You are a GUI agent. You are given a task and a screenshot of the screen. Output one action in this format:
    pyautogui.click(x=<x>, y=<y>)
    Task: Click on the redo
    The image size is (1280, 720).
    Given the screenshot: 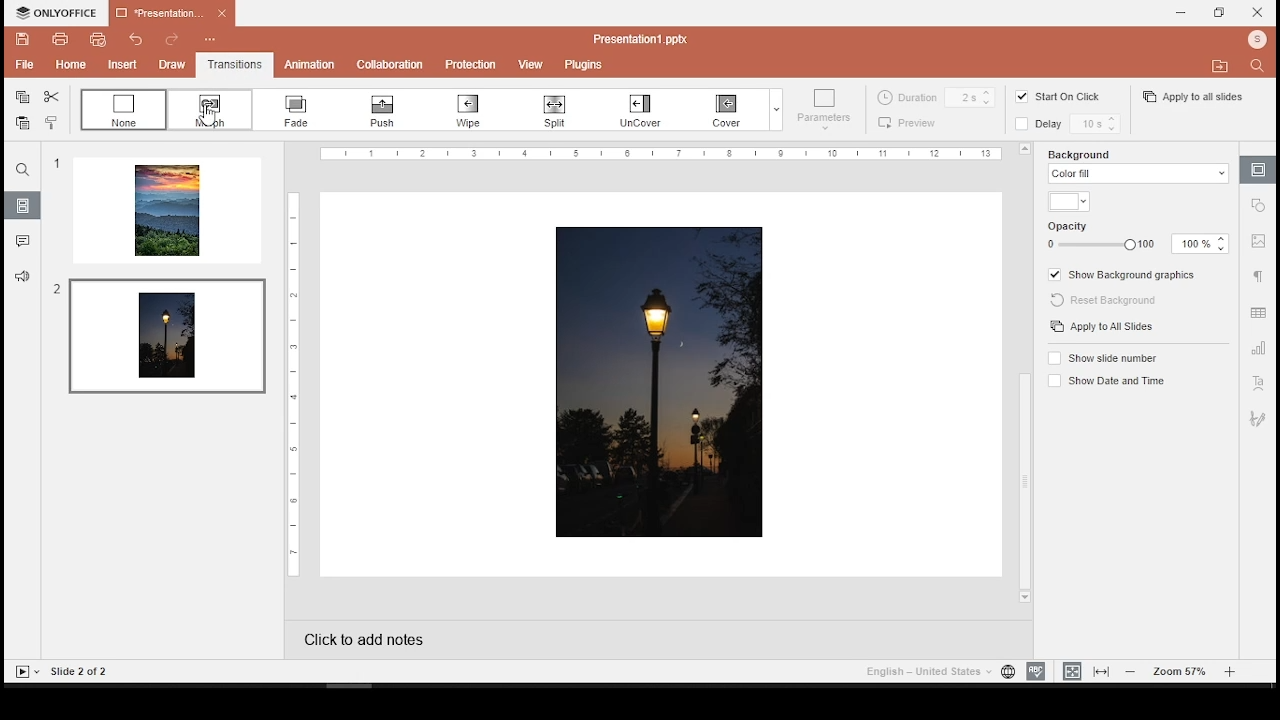 What is the action you would take?
    pyautogui.click(x=170, y=37)
    